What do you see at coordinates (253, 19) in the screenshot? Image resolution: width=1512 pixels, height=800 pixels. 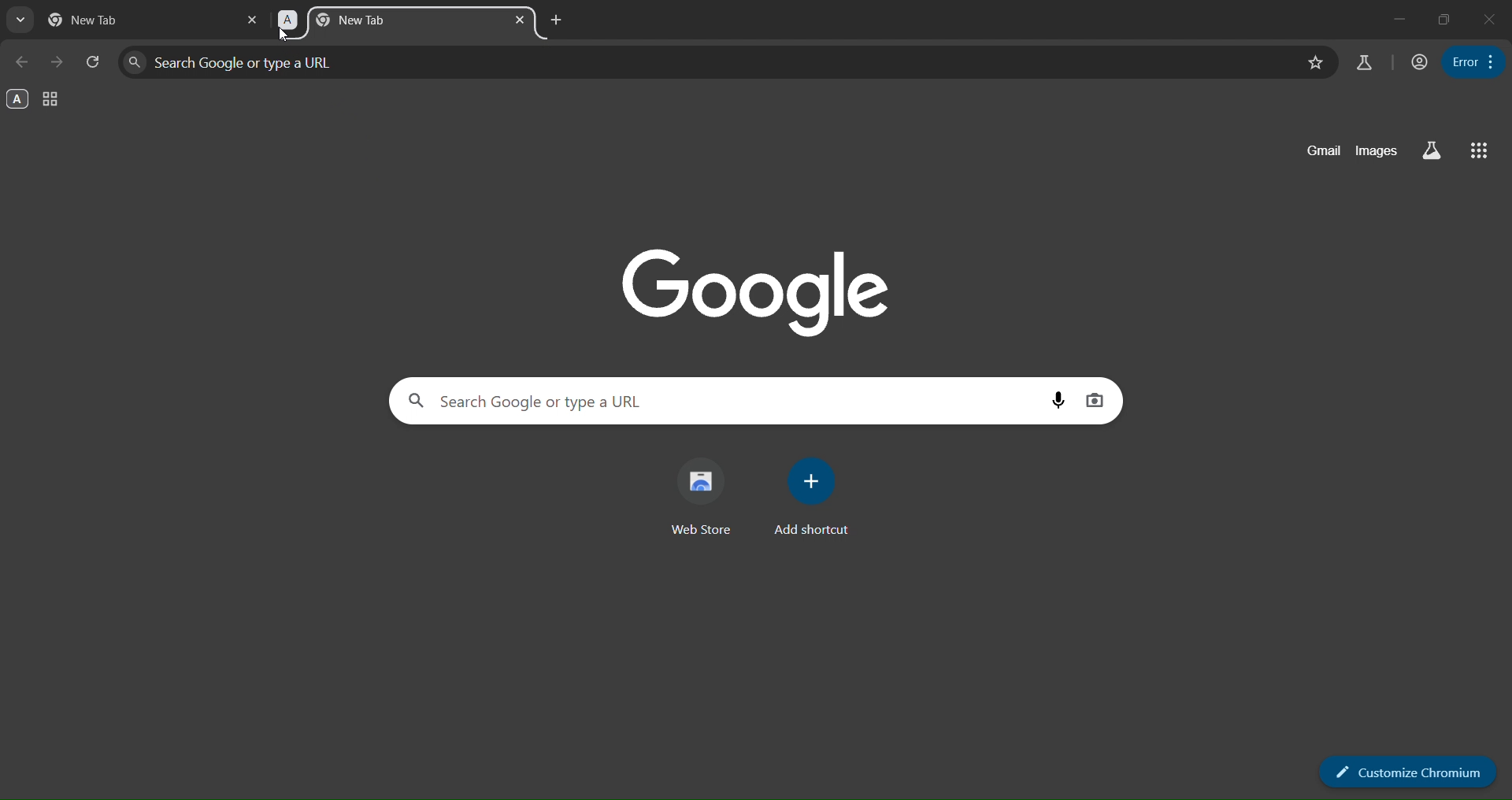 I see `close tab` at bounding box center [253, 19].